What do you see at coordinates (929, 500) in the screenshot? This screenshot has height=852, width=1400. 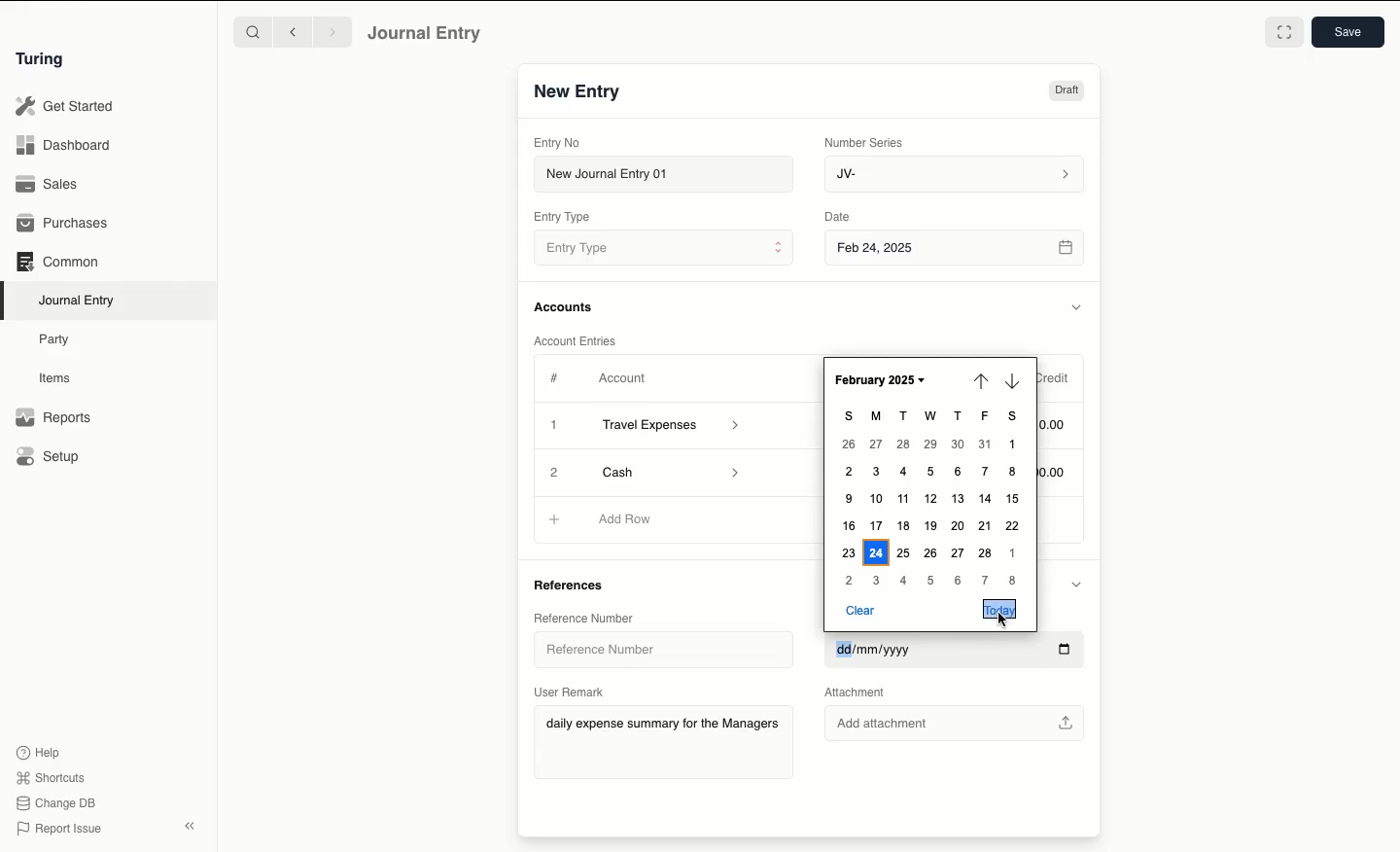 I see `Dates` at bounding box center [929, 500].